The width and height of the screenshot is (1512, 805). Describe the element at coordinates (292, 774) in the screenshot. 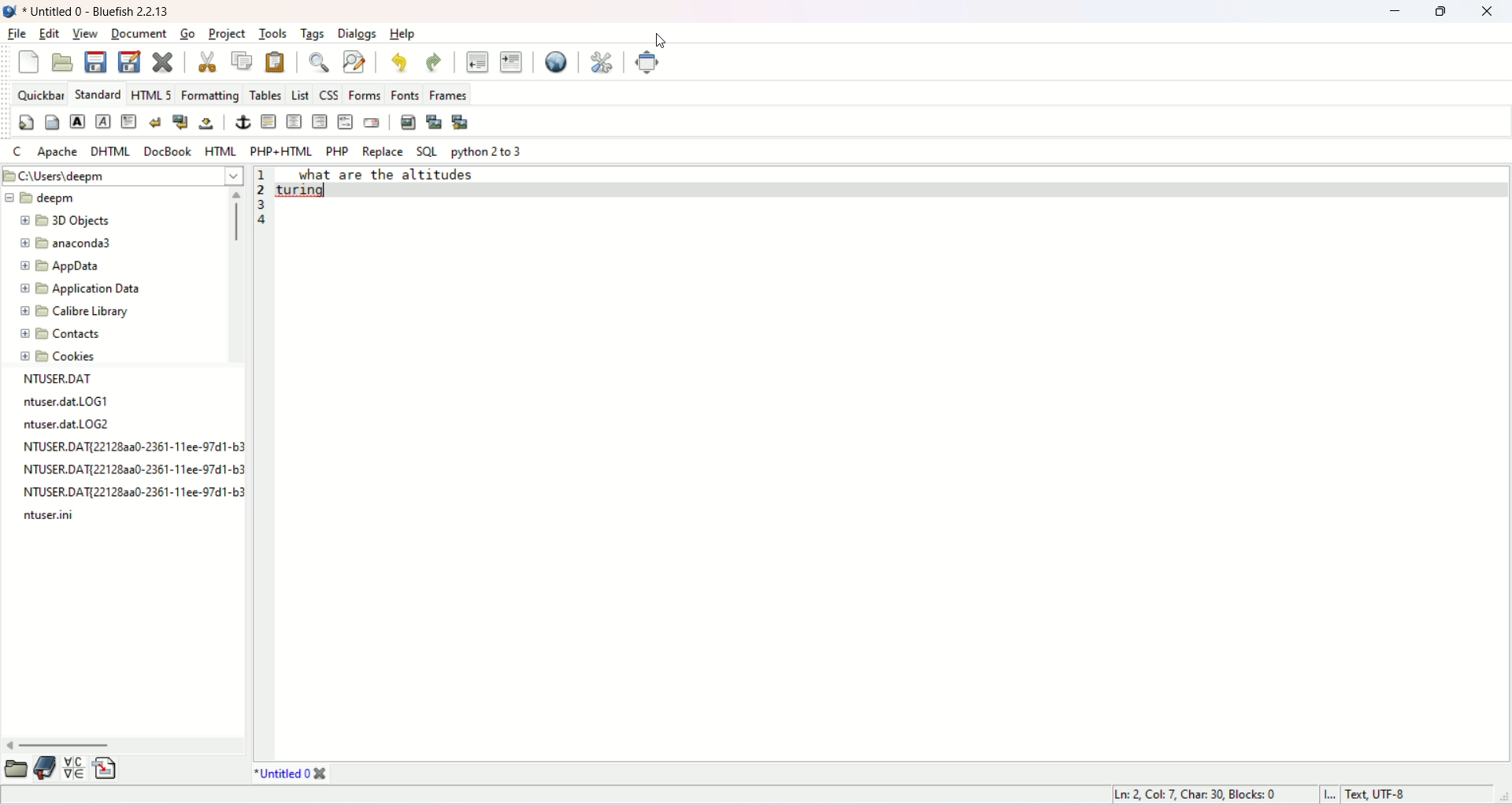

I see `title` at that location.